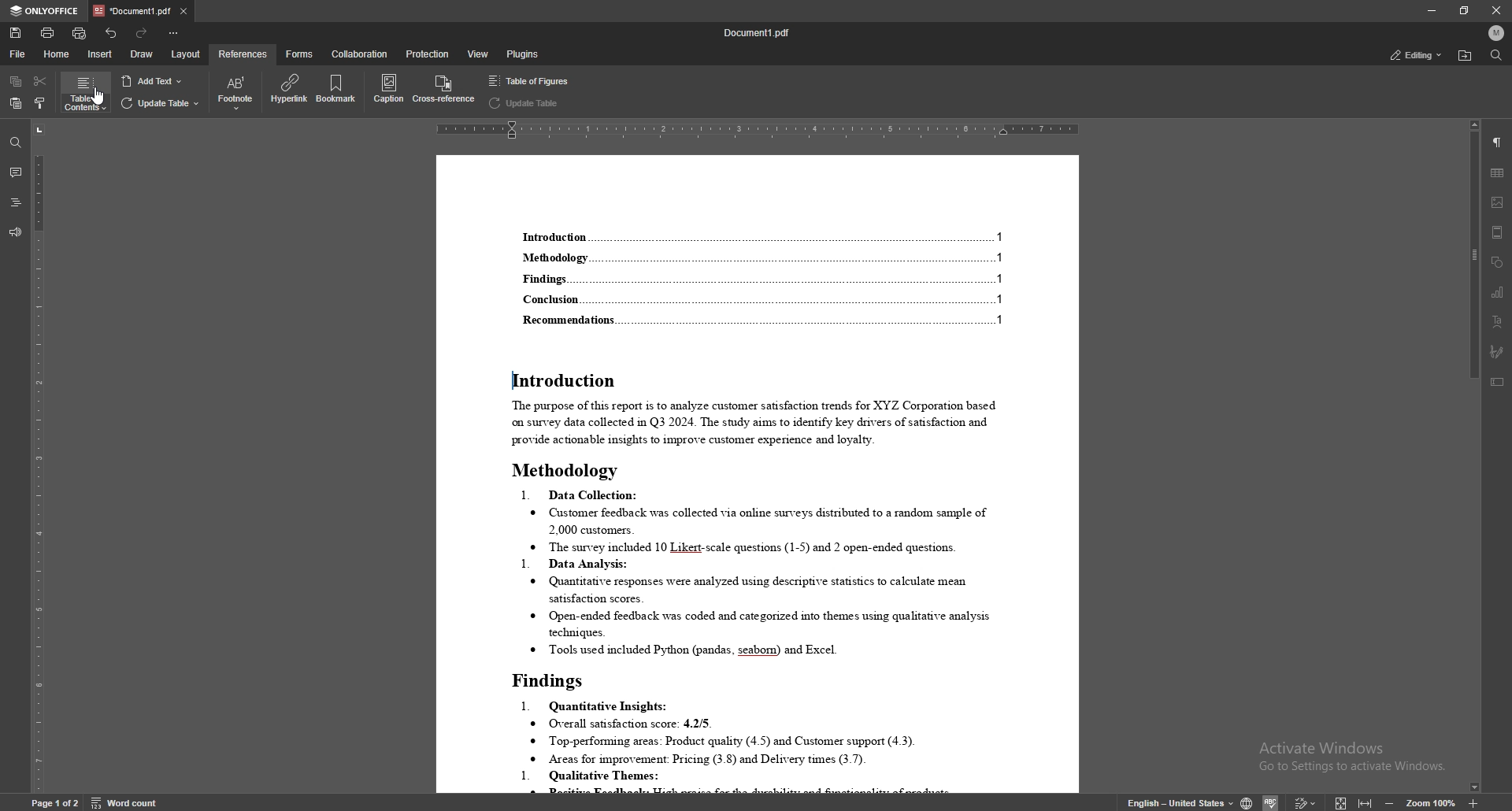 The width and height of the screenshot is (1512, 811). Describe the element at coordinates (1499, 291) in the screenshot. I see `chart` at that location.